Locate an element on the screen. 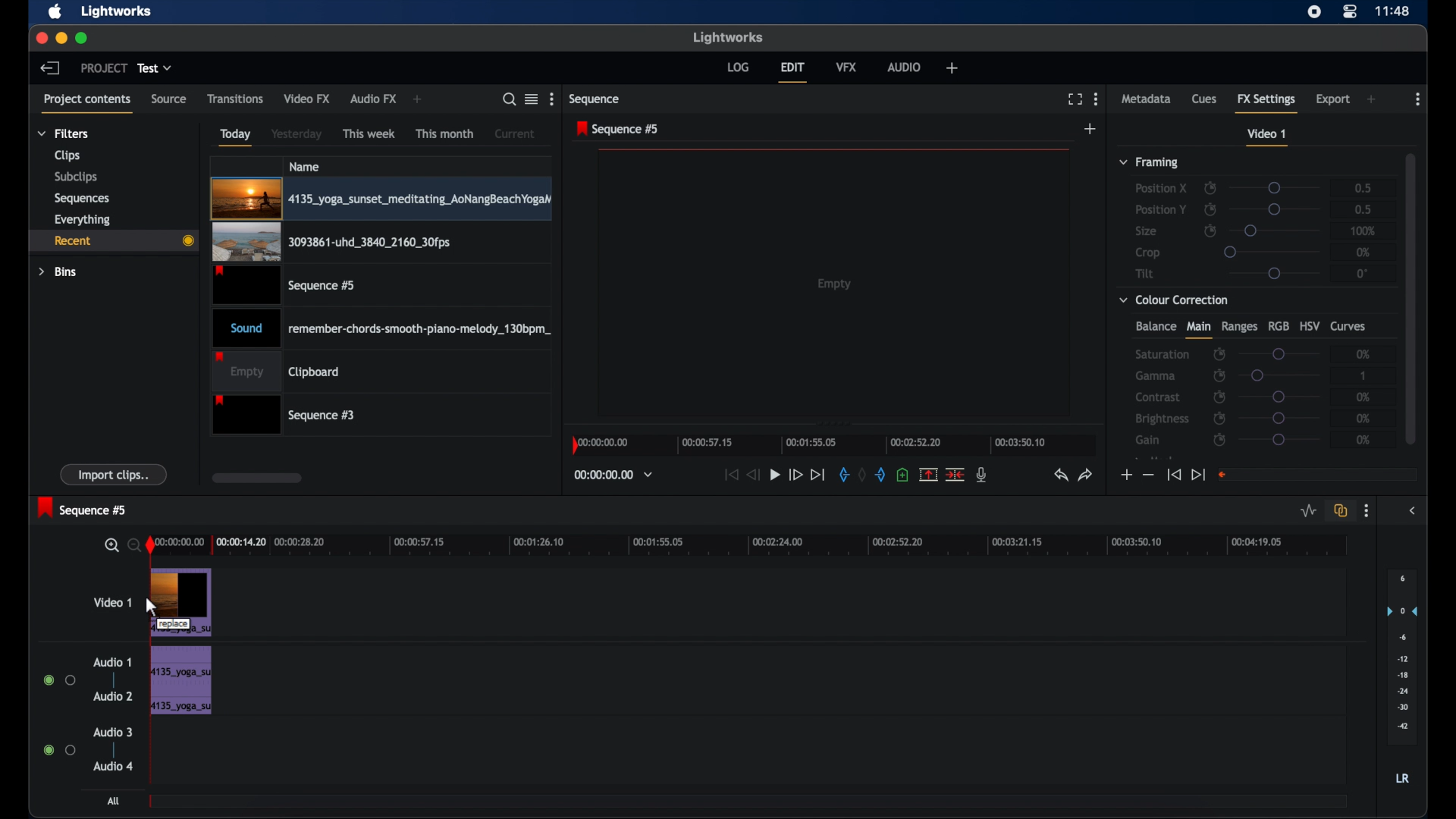 The width and height of the screenshot is (1456, 819). 0% is located at coordinates (1363, 440).